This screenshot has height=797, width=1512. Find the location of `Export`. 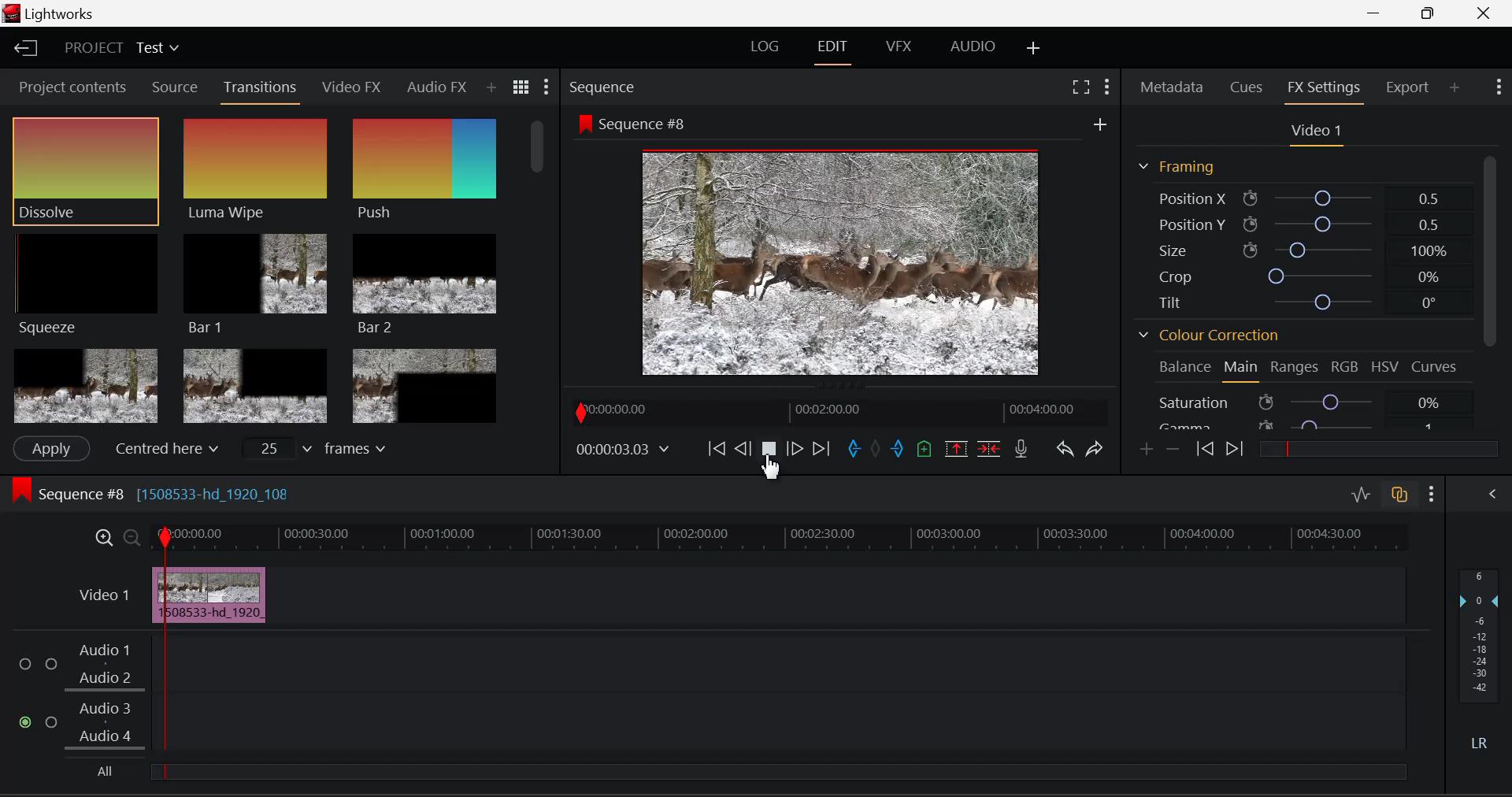

Export is located at coordinates (1411, 87).